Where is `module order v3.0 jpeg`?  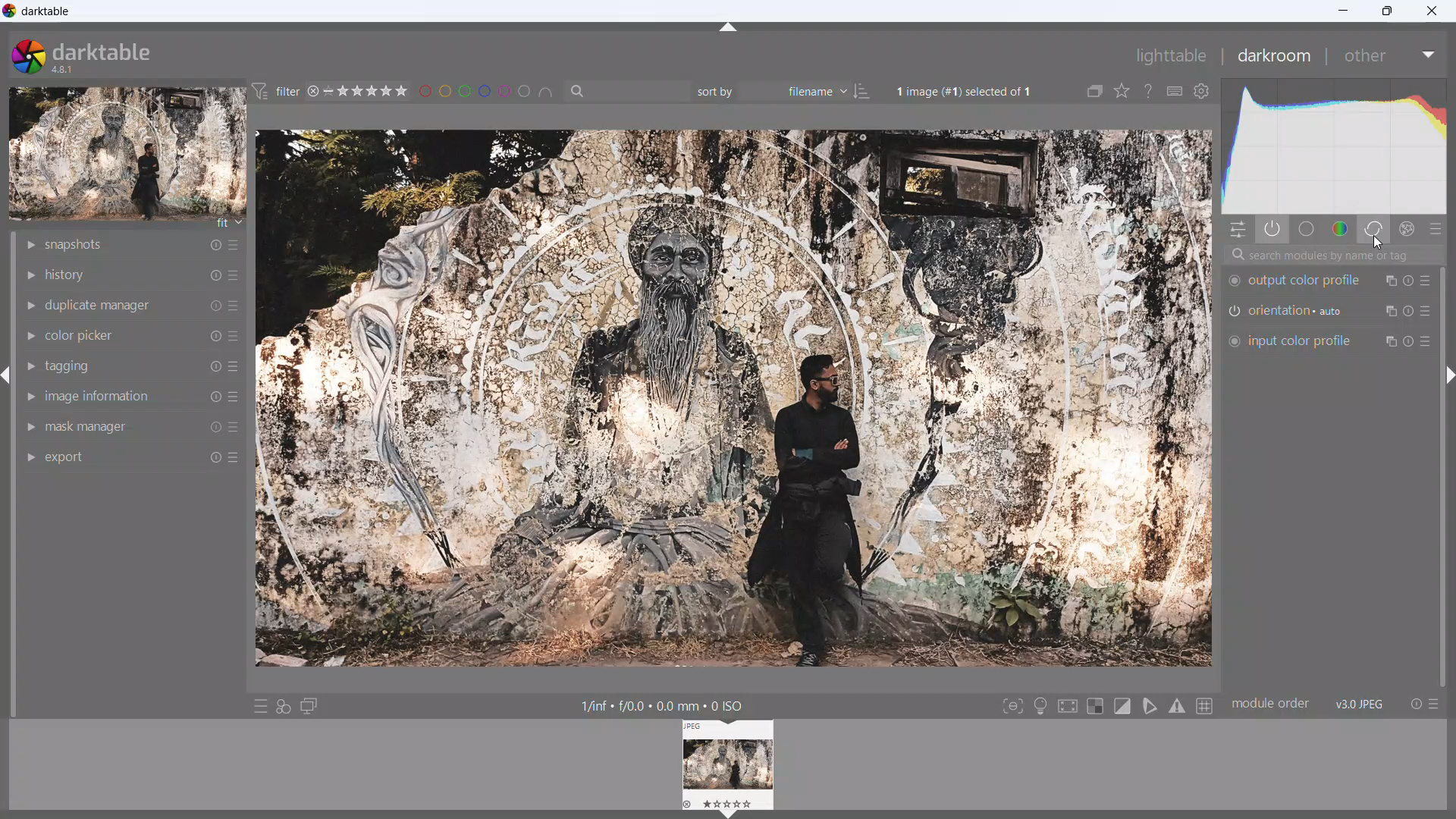 module order v3.0 jpeg is located at coordinates (1312, 705).